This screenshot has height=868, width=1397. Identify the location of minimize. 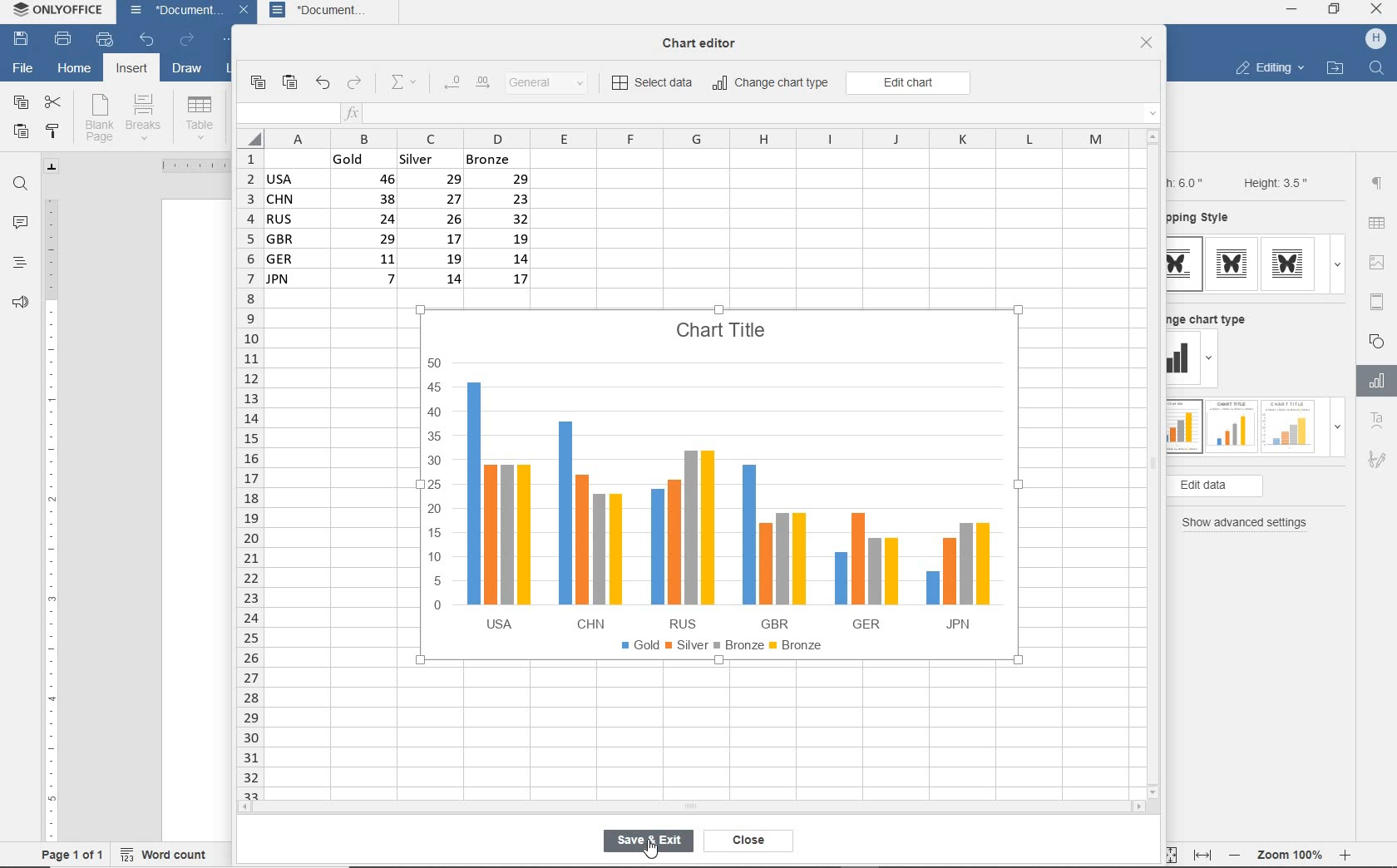
(1292, 9).